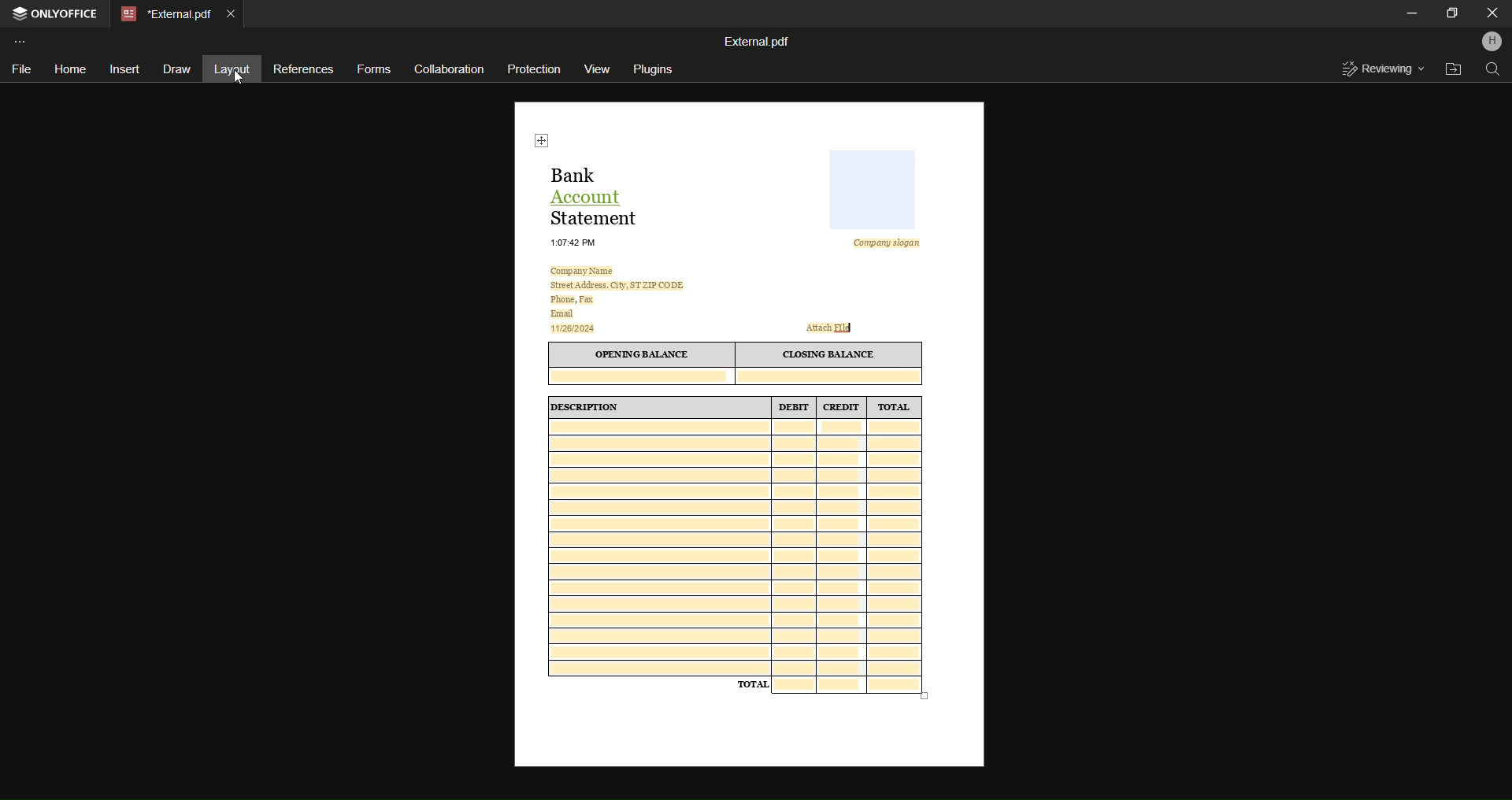 The height and width of the screenshot is (800, 1512). What do you see at coordinates (1384, 69) in the screenshot?
I see `Reveiwing` at bounding box center [1384, 69].